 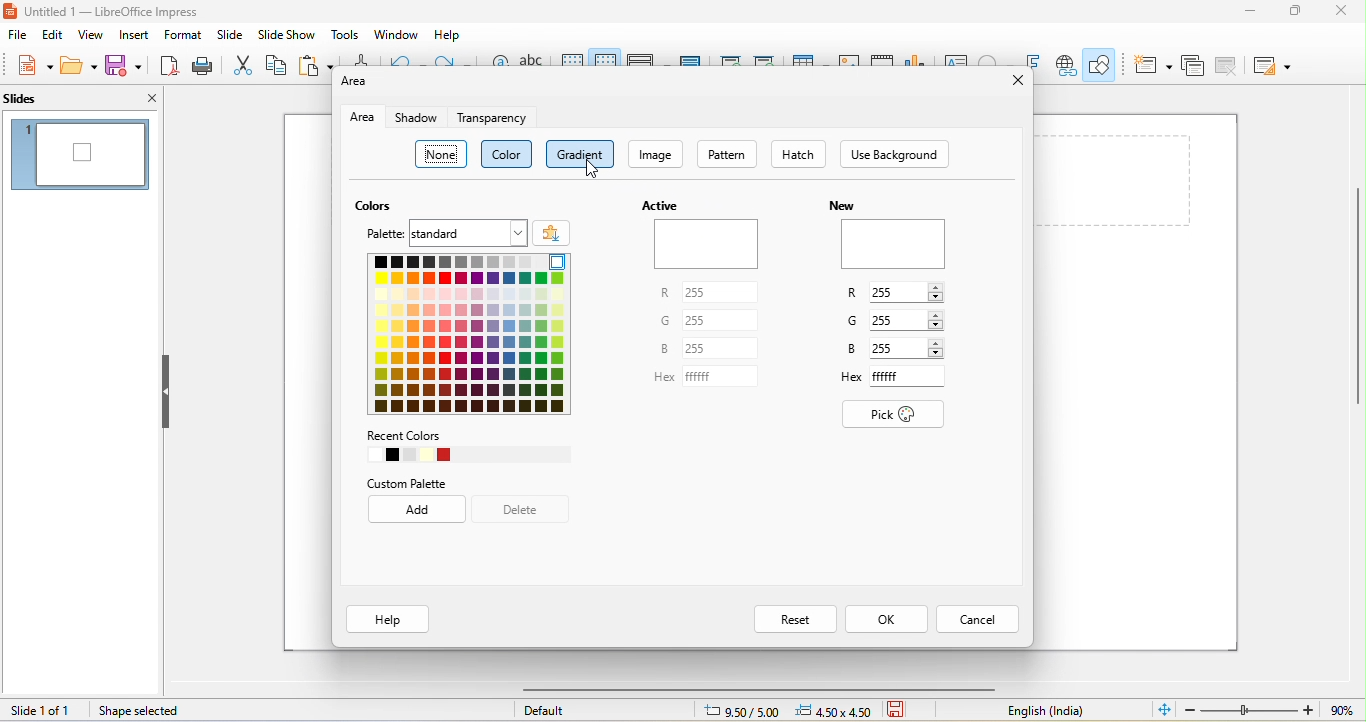 I want to click on file, so click(x=15, y=36).